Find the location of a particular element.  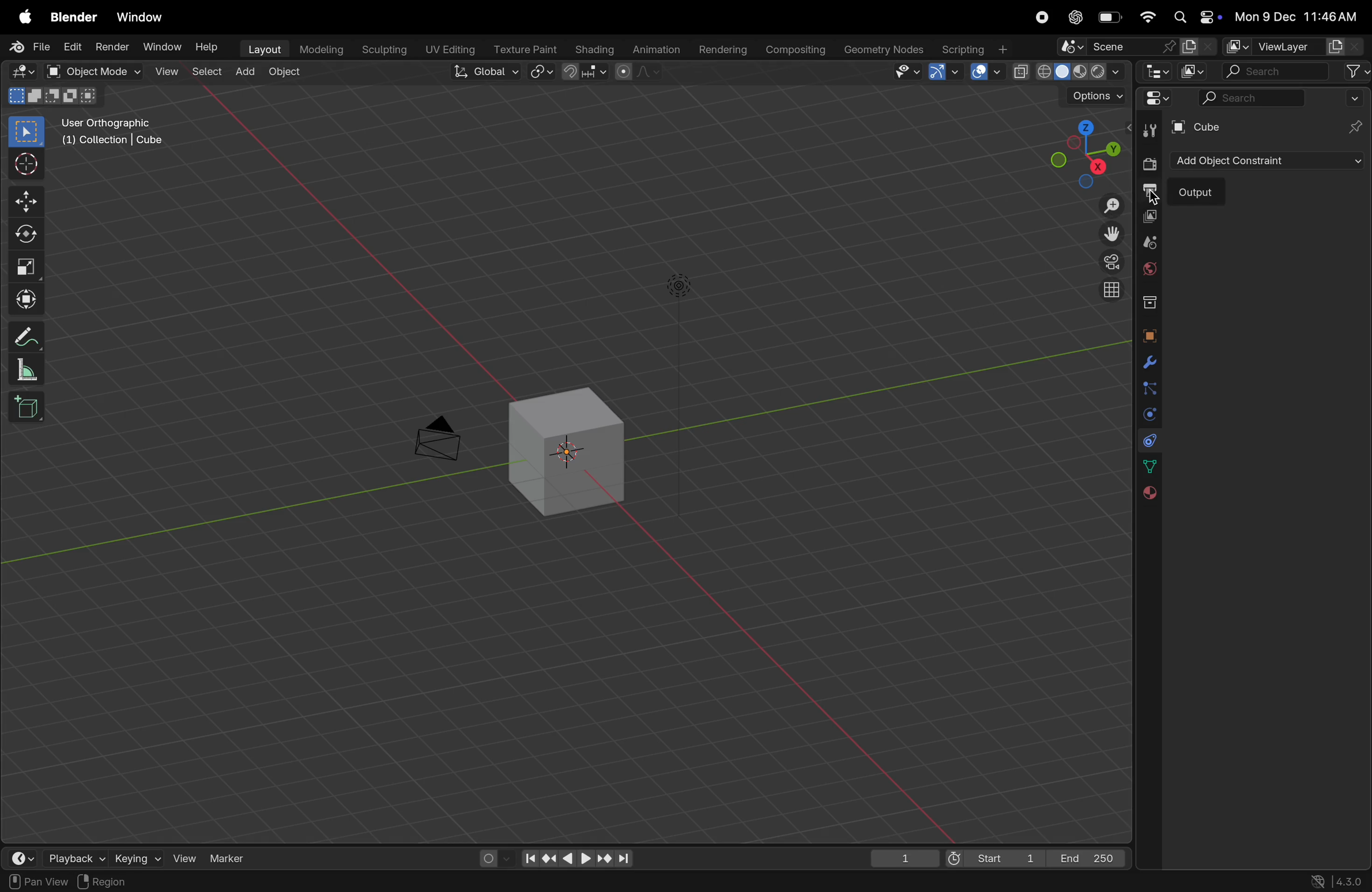

Animation is located at coordinates (656, 49).